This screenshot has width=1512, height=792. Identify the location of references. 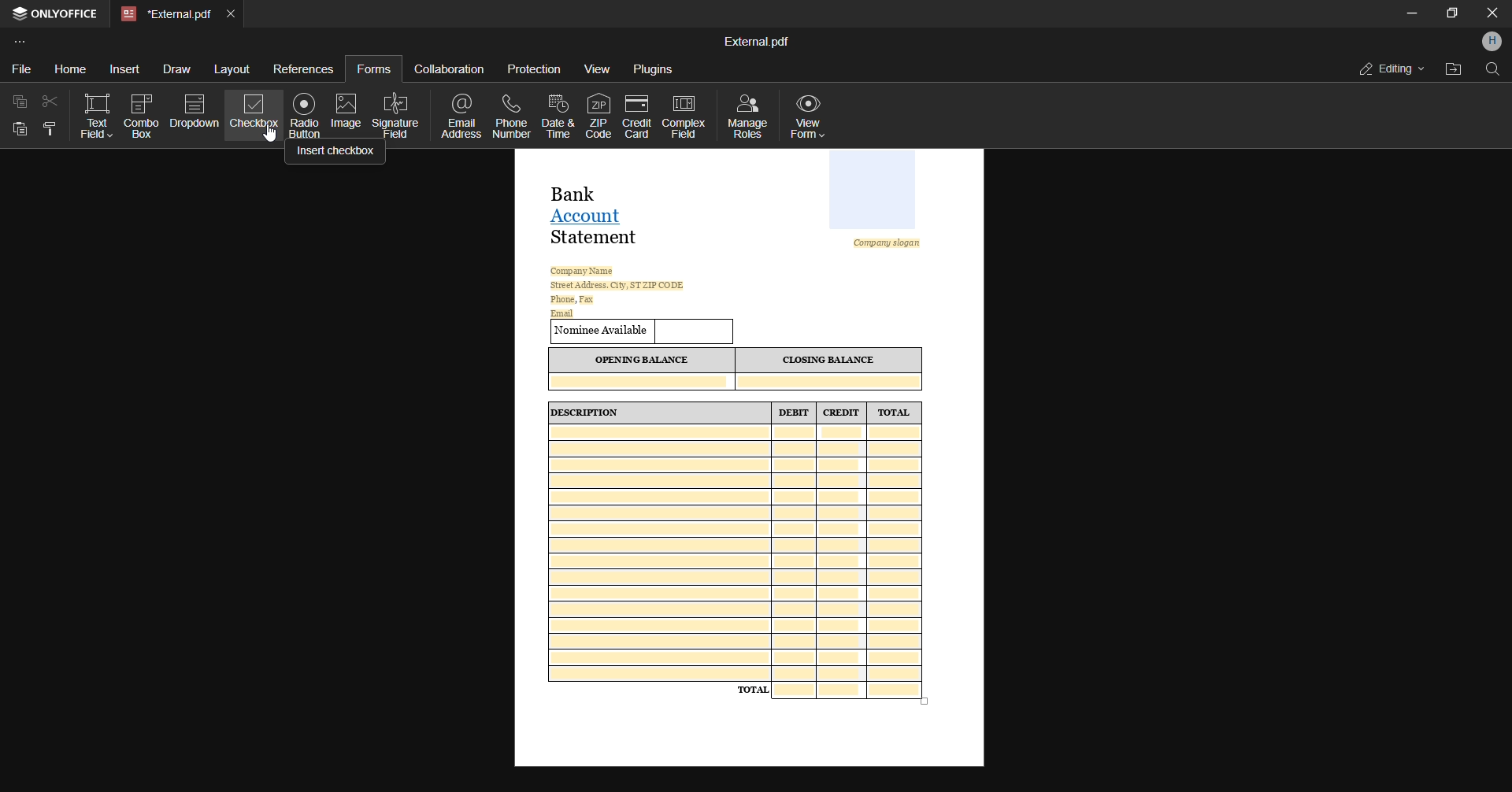
(305, 68).